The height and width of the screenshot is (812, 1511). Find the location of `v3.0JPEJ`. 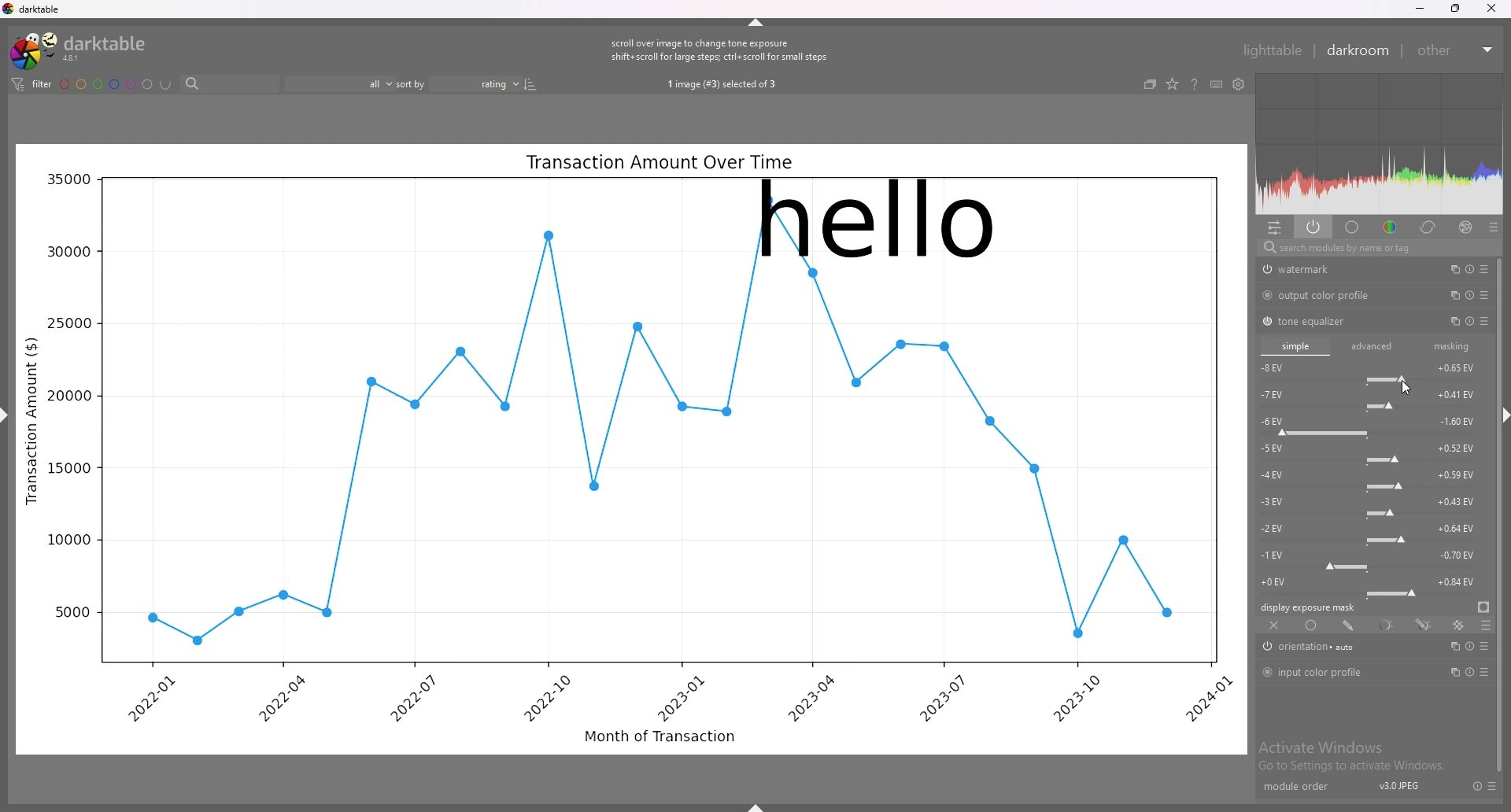

v3.0JPEJ is located at coordinates (1396, 786).